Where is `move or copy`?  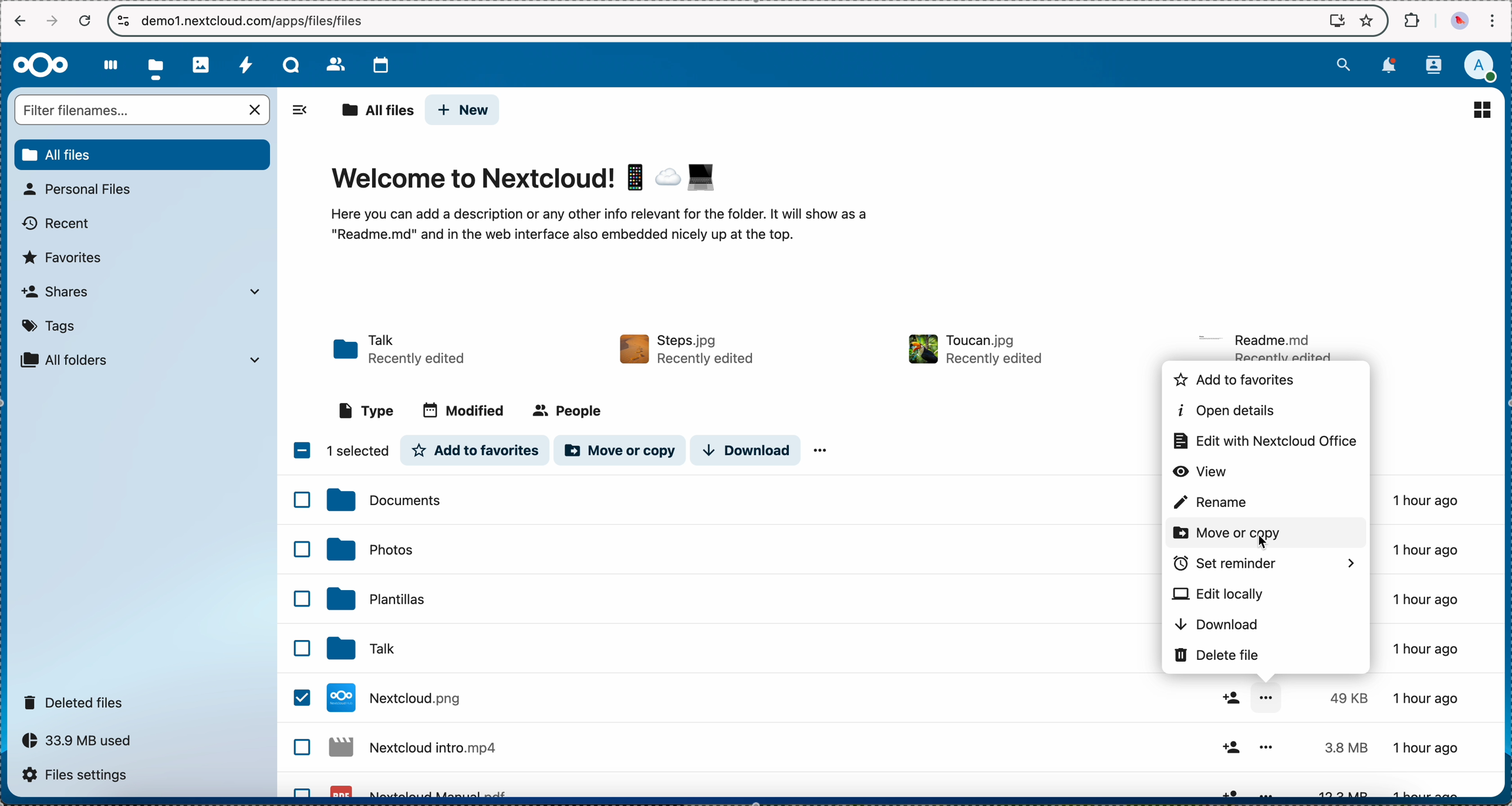 move or copy is located at coordinates (618, 451).